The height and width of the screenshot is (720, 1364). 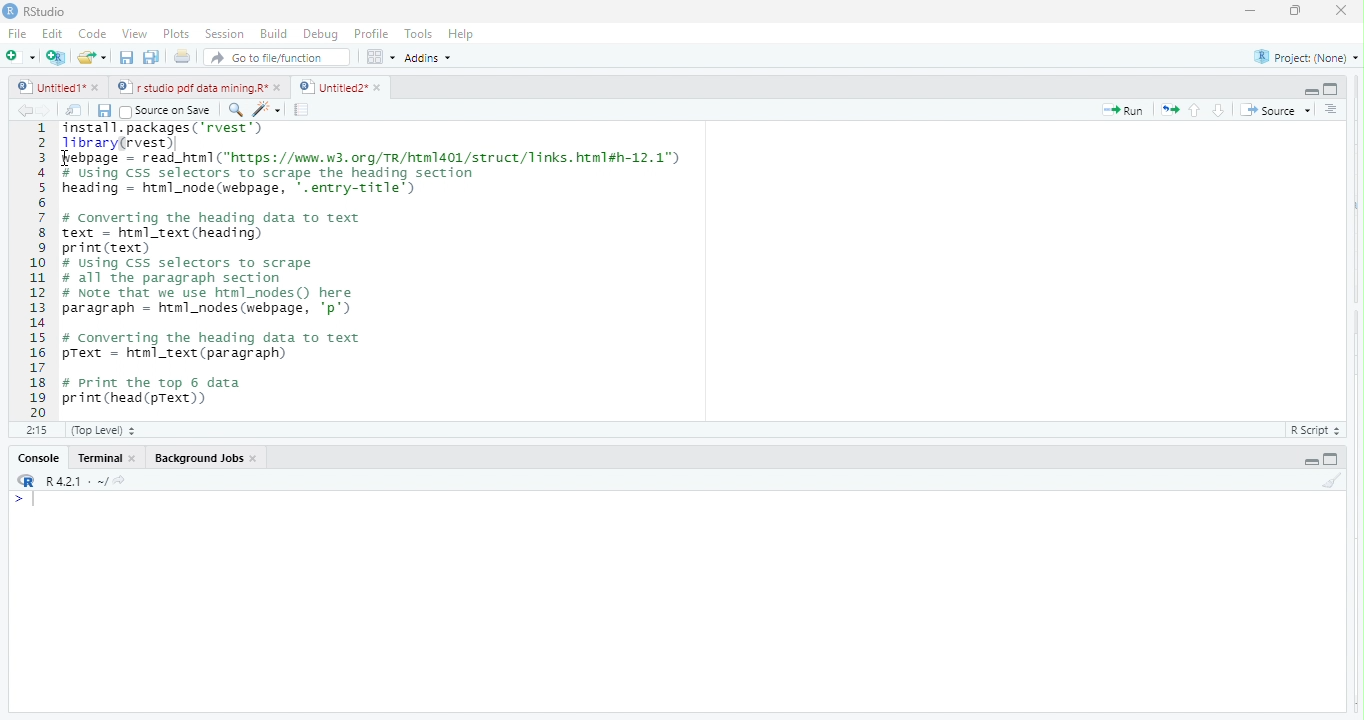 I want to click on go forward to the next source location, so click(x=48, y=112).